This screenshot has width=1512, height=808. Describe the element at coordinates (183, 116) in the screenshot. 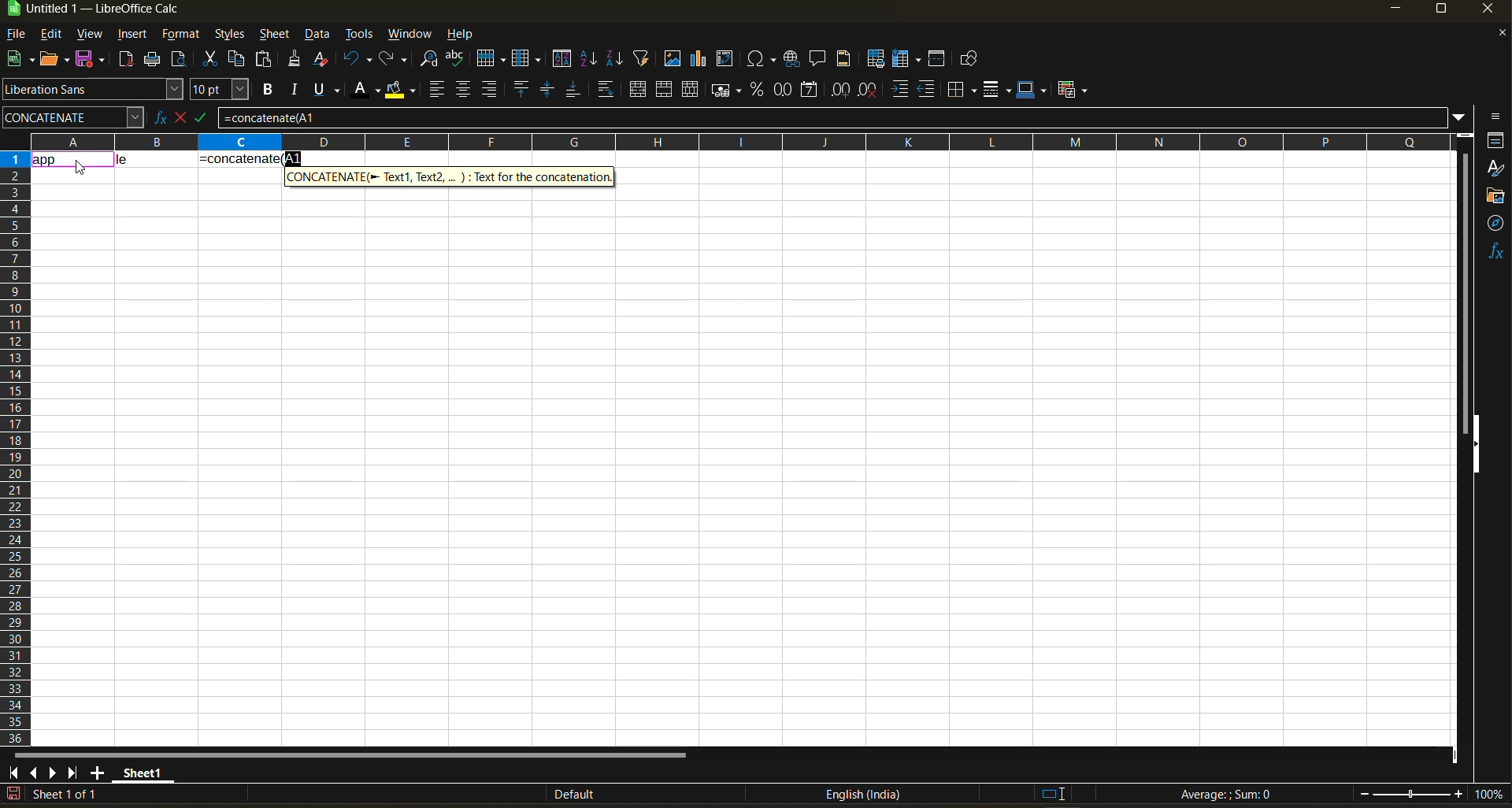

I see `select function` at that location.